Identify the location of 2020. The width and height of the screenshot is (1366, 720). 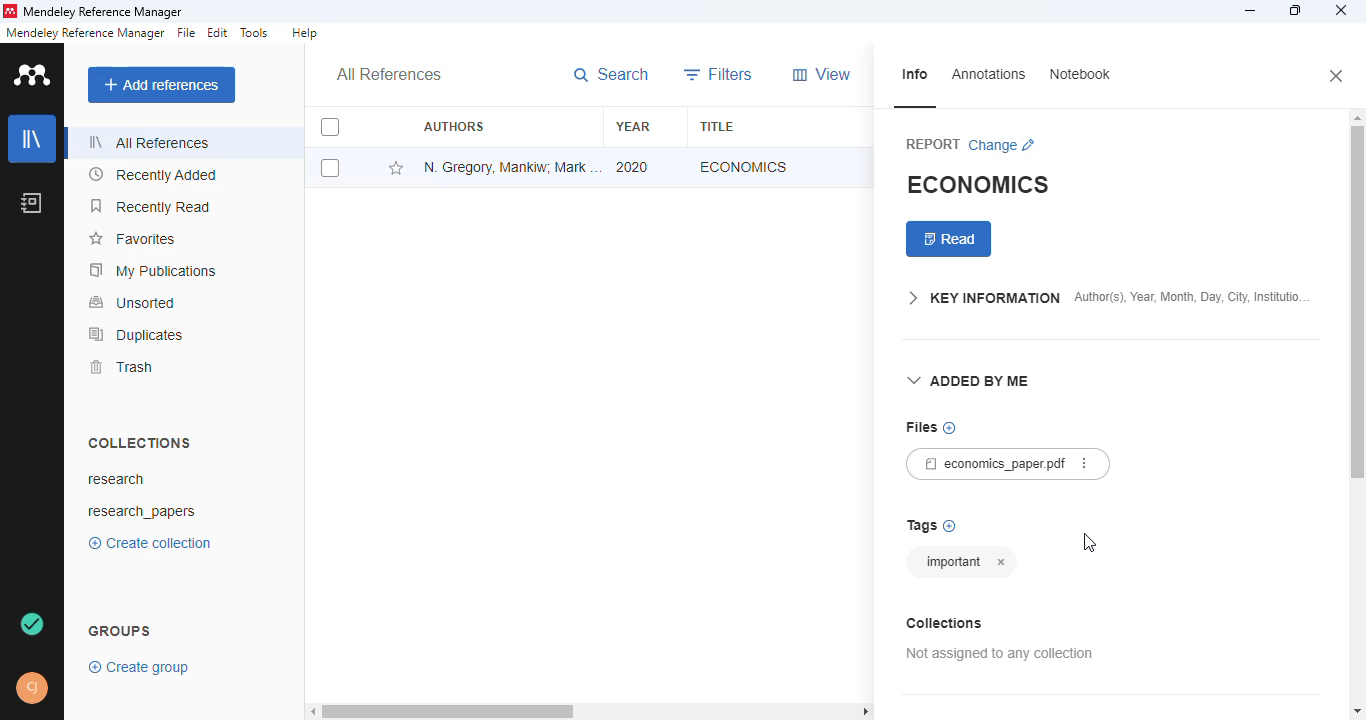
(633, 166).